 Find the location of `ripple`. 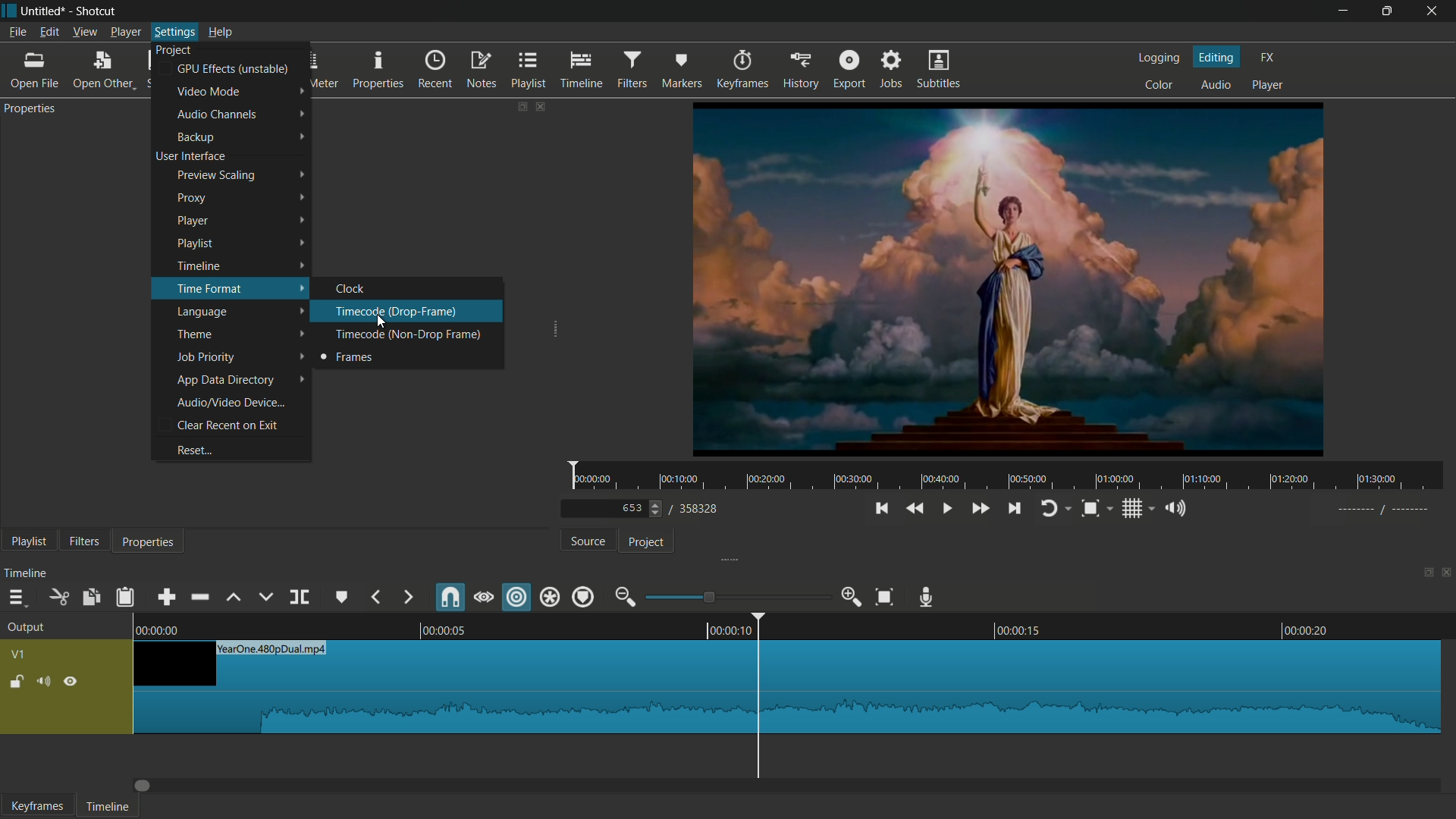

ripple is located at coordinates (516, 597).